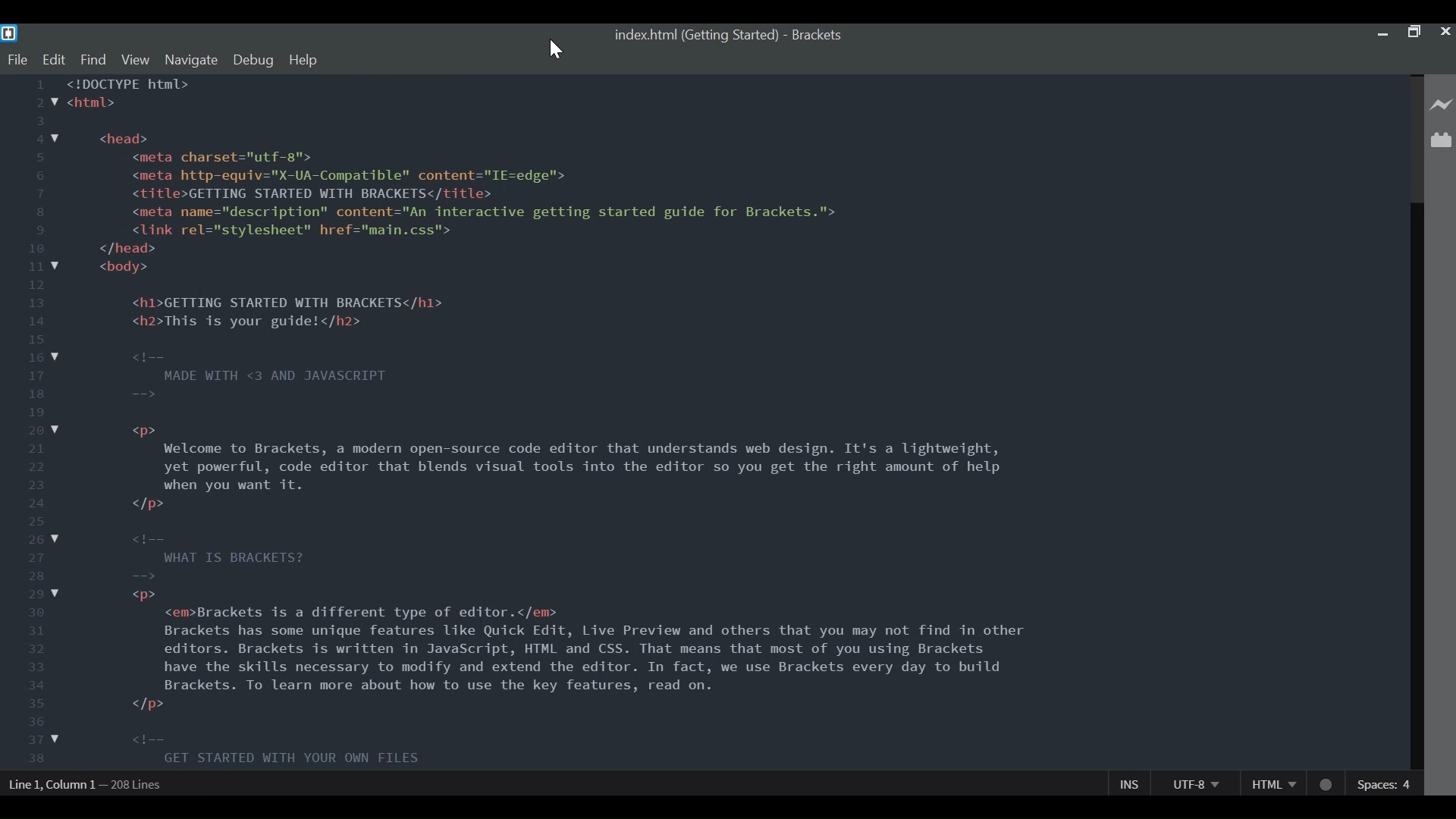 This screenshot has width=1456, height=819. Describe the element at coordinates (136, 60) in the screenshot. I see `View` at that location.